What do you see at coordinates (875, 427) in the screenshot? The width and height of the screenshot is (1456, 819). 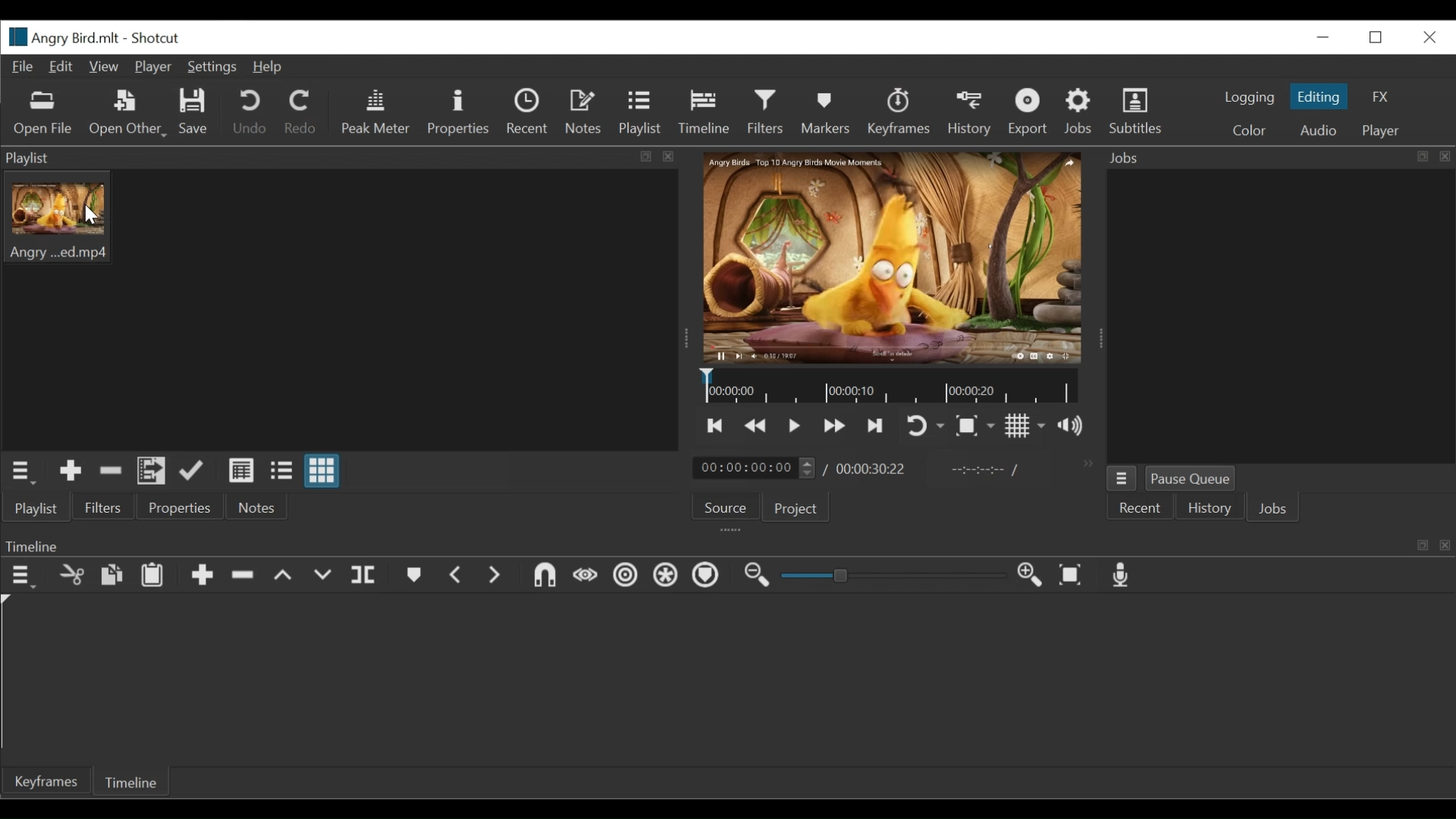 I see `Skip to the next point` at bounding box center [875, 427].